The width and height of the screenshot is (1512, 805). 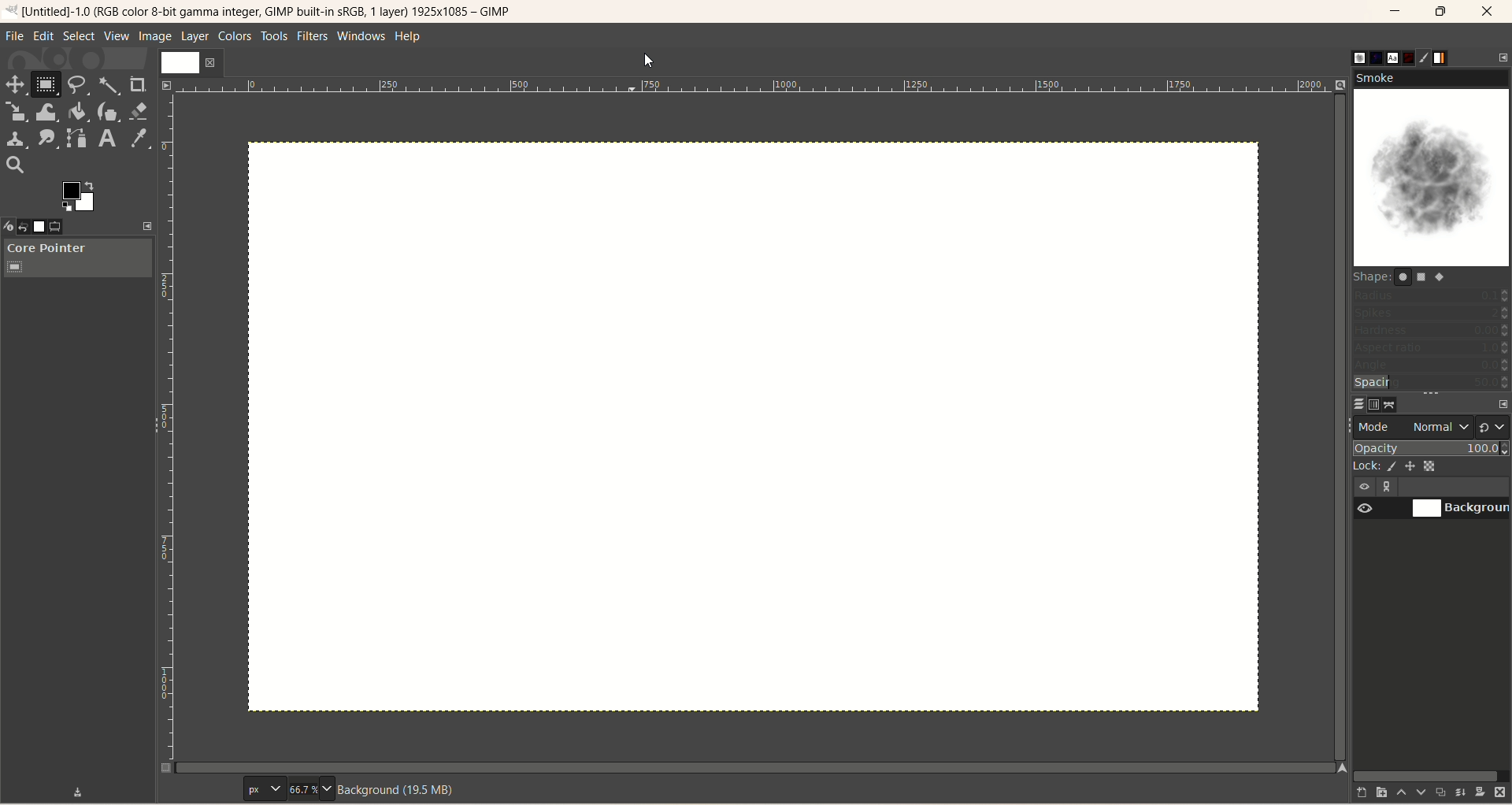 I want to click on path, so click(x=1391, y=404).